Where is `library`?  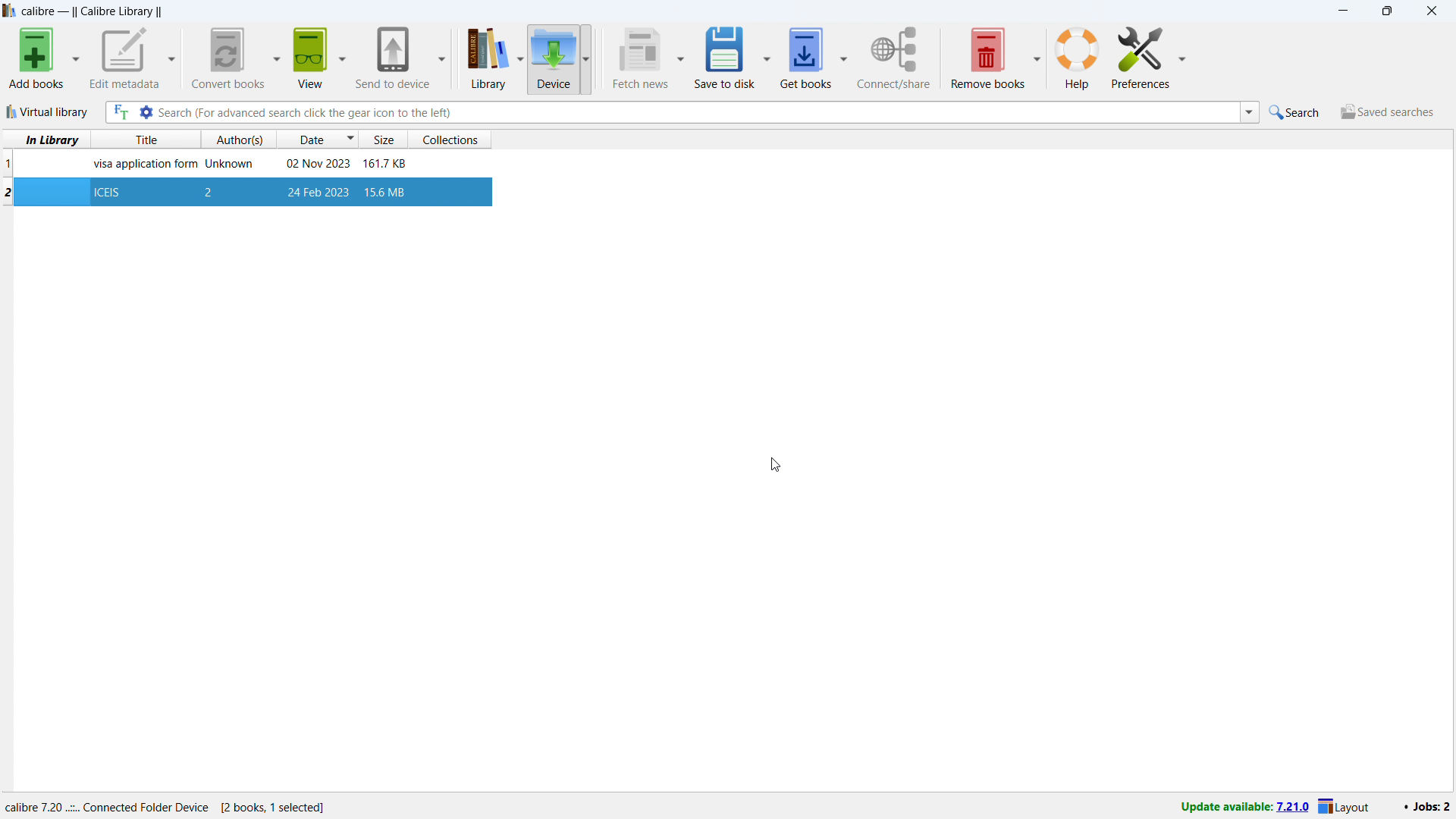 library is located at coordinates (482, 60).